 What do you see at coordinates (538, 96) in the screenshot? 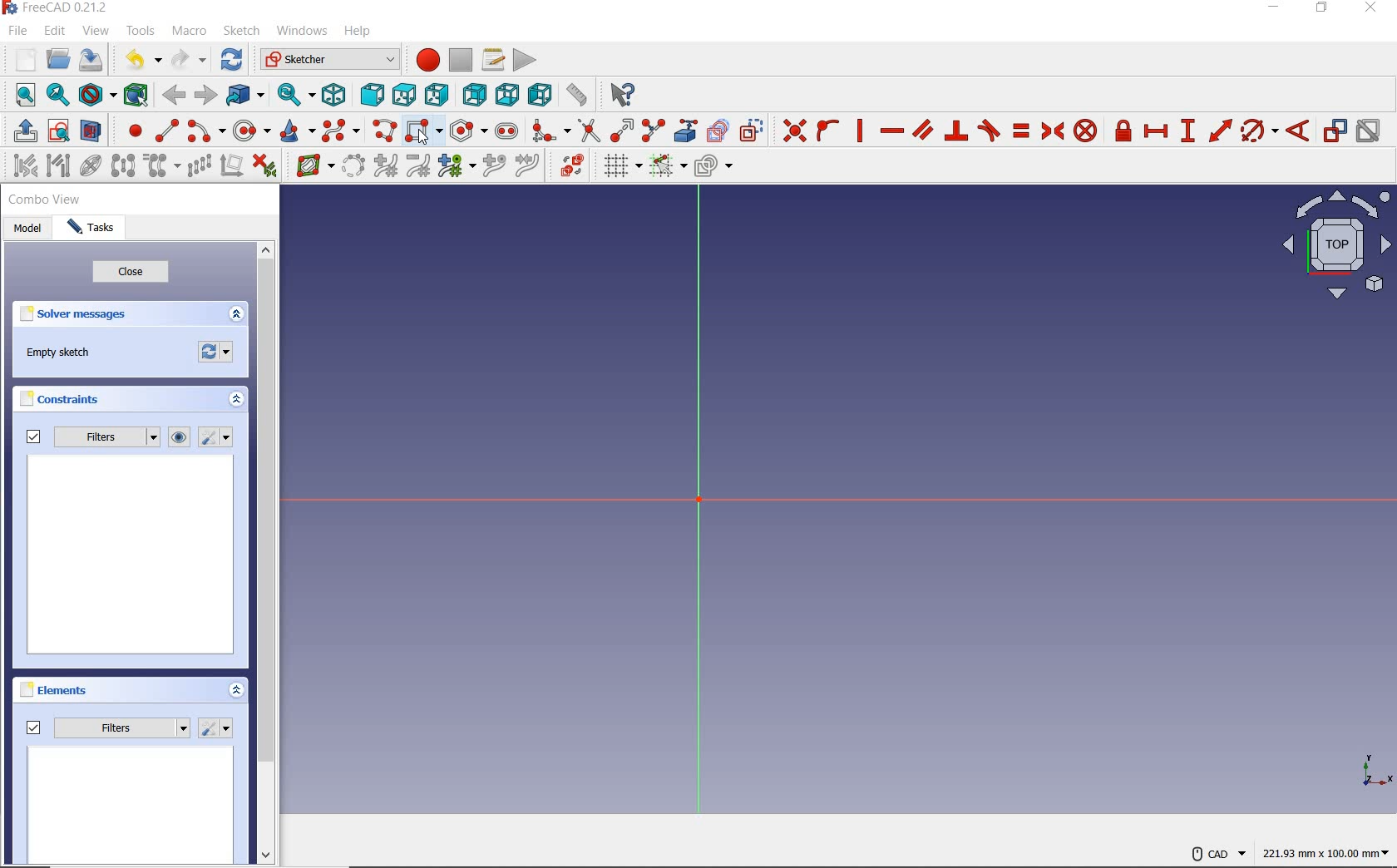
I see `left` at bounding box center [538, 96].